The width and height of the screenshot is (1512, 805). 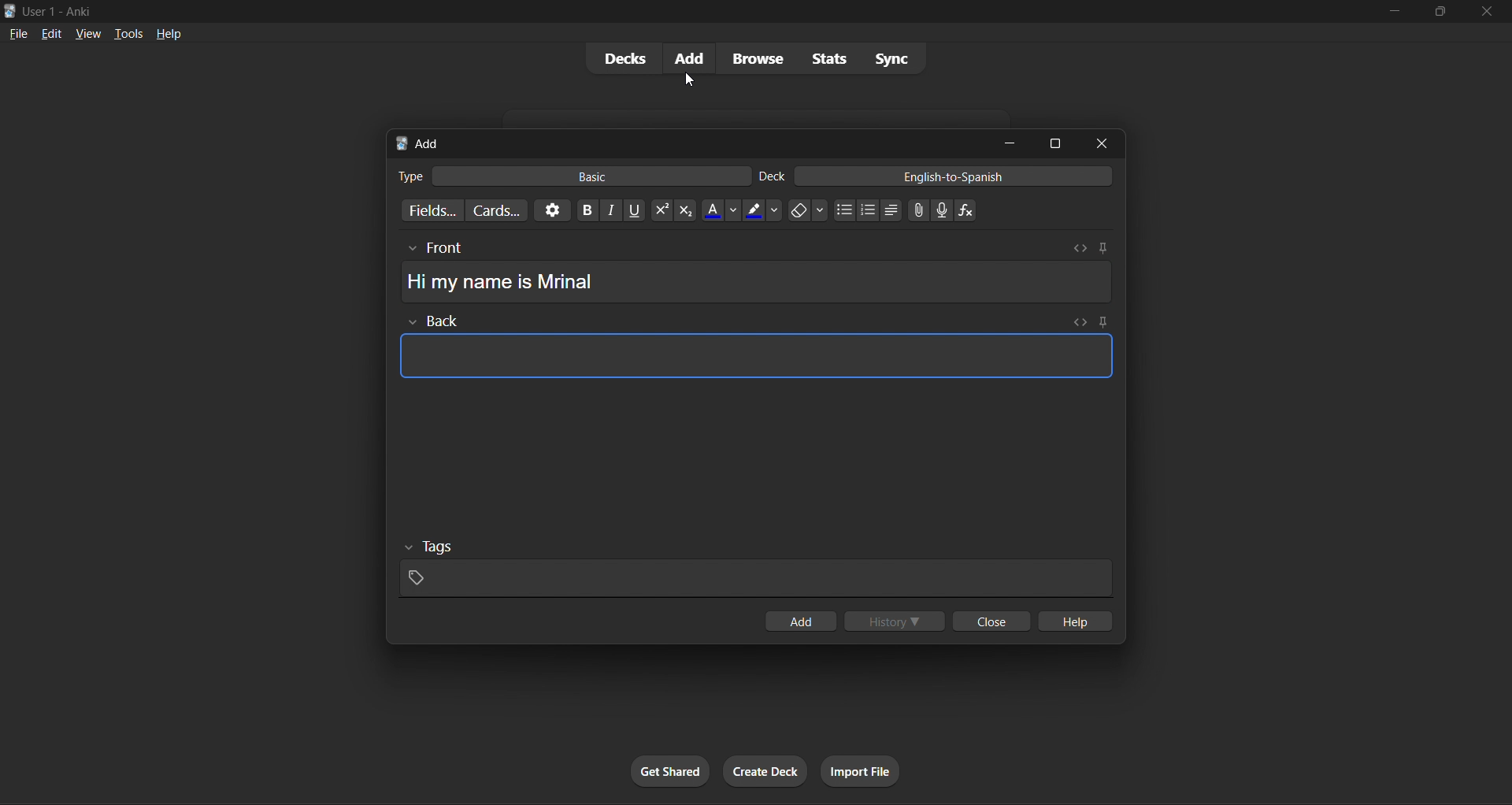 What do you see at coordinates (623, 58) in the screenshot?
I see `decks` at bounding box center [623, 58].